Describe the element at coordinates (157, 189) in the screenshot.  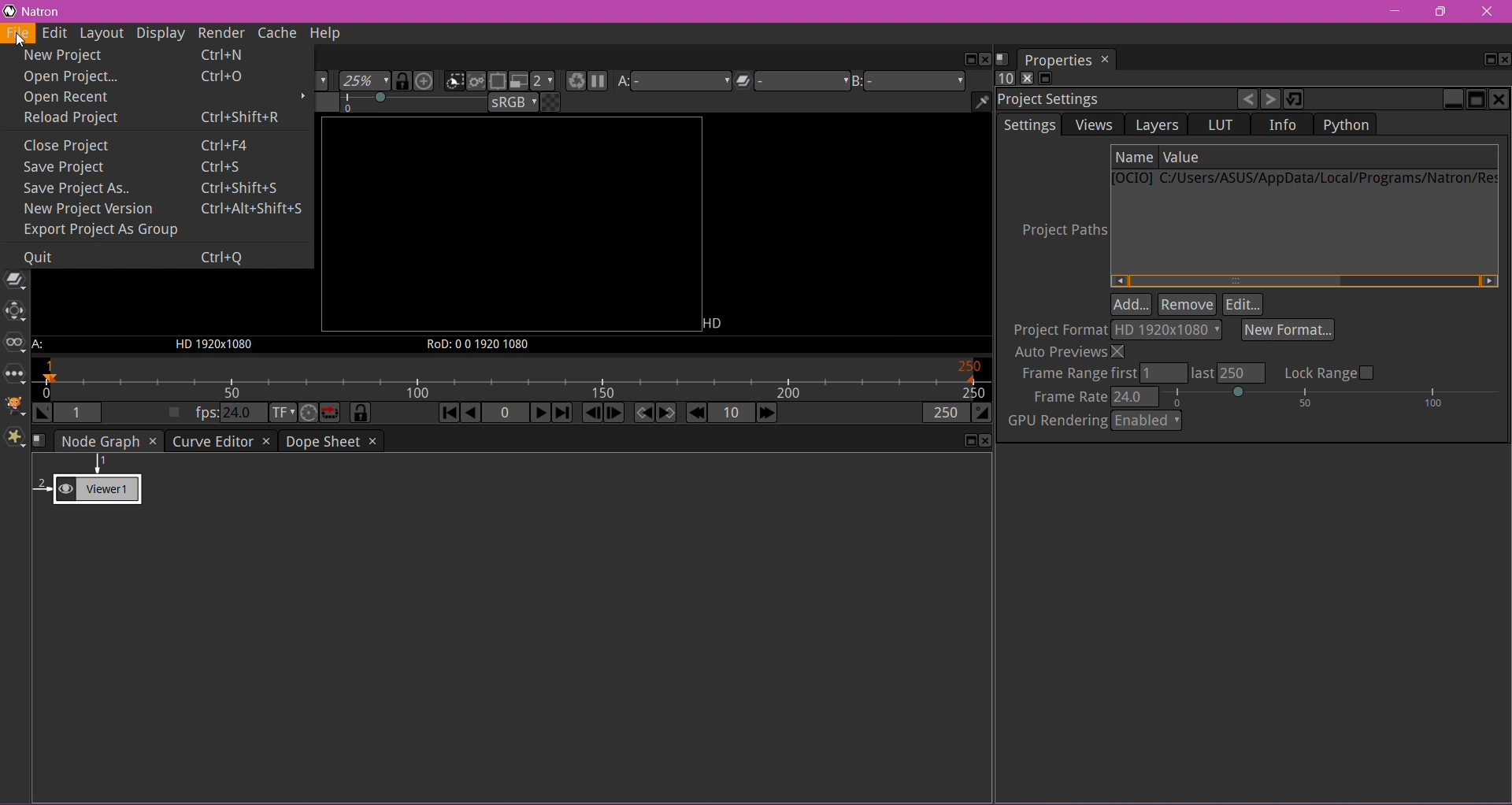
I see `Save Project As` at that location.